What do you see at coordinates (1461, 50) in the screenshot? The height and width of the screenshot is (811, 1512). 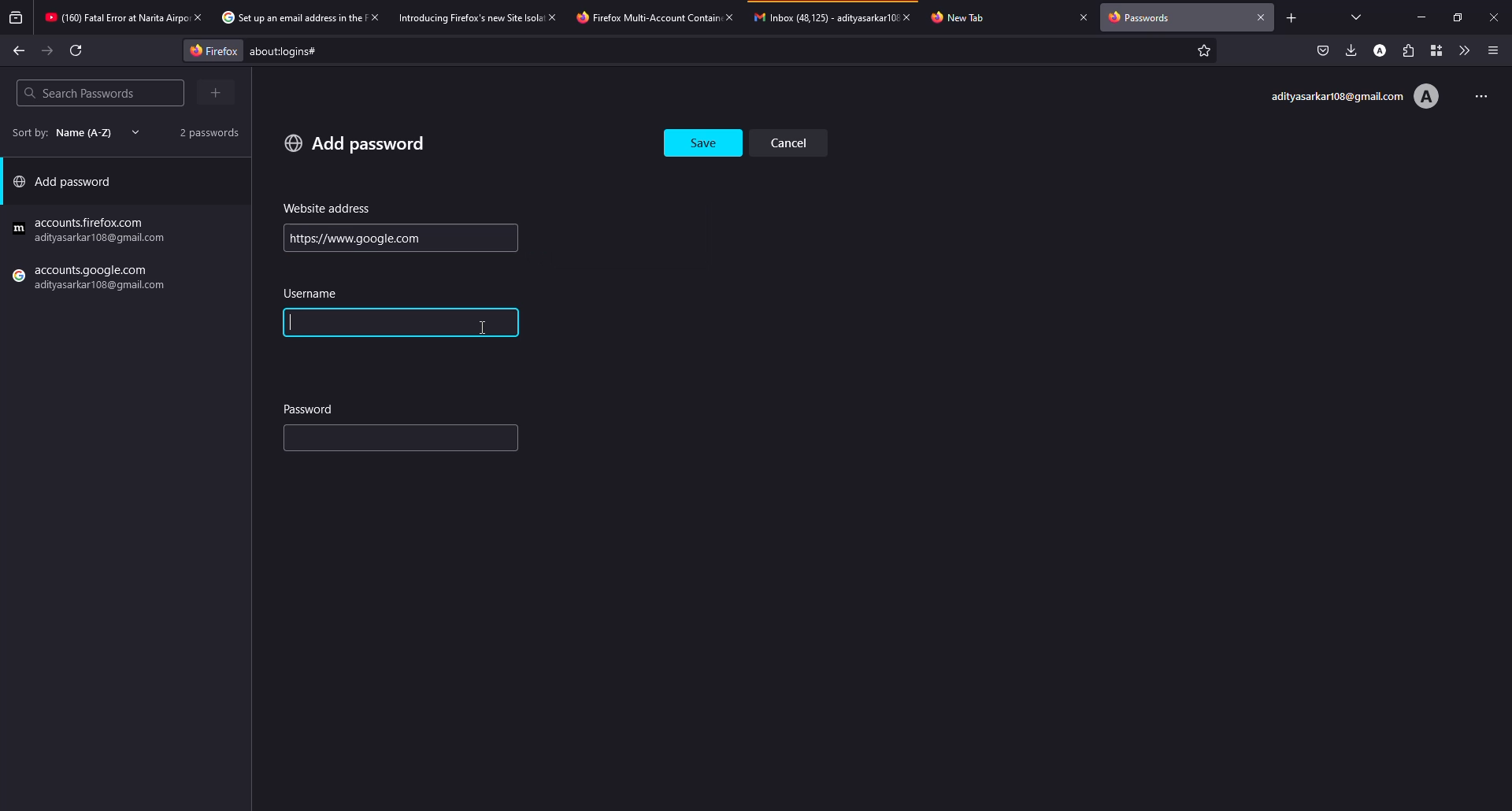 I see `more tools` at bounding box center [1461, 50].